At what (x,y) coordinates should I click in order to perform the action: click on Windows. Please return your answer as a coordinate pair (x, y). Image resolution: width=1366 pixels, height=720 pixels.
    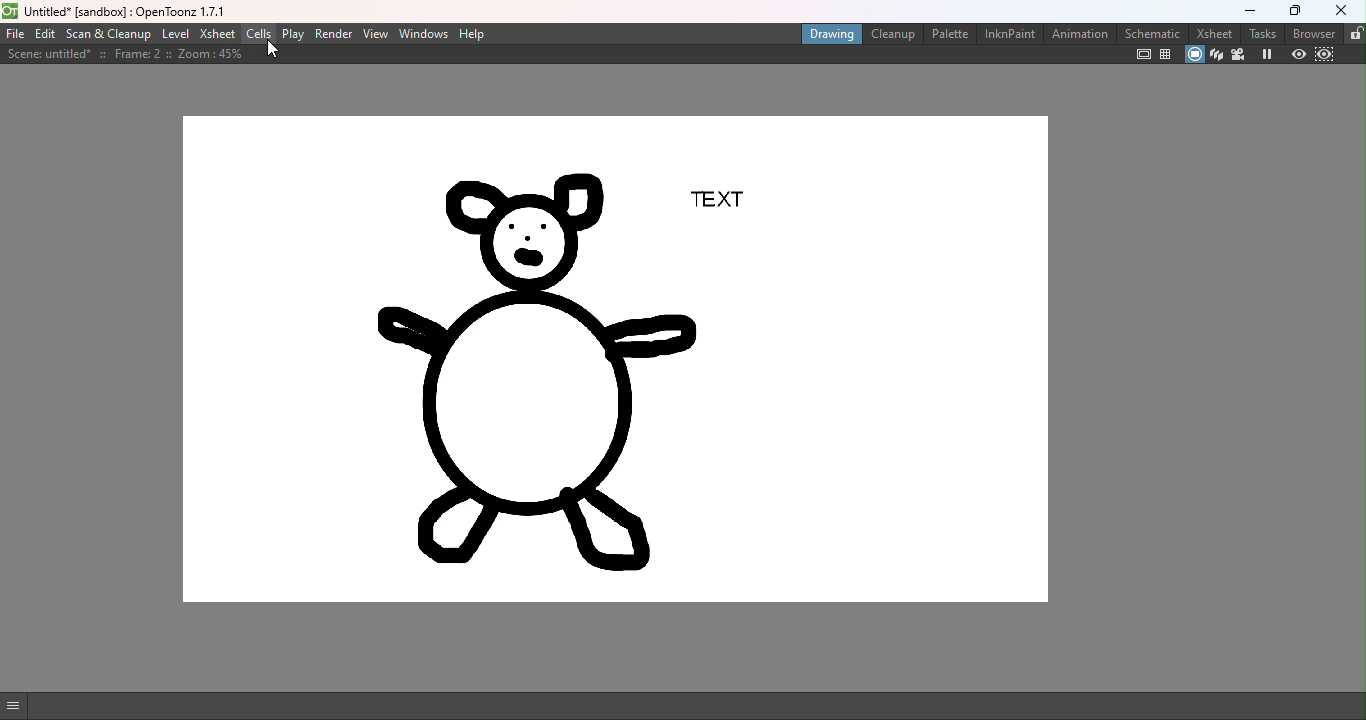
    Looking at the image, I should click on (423, 34).